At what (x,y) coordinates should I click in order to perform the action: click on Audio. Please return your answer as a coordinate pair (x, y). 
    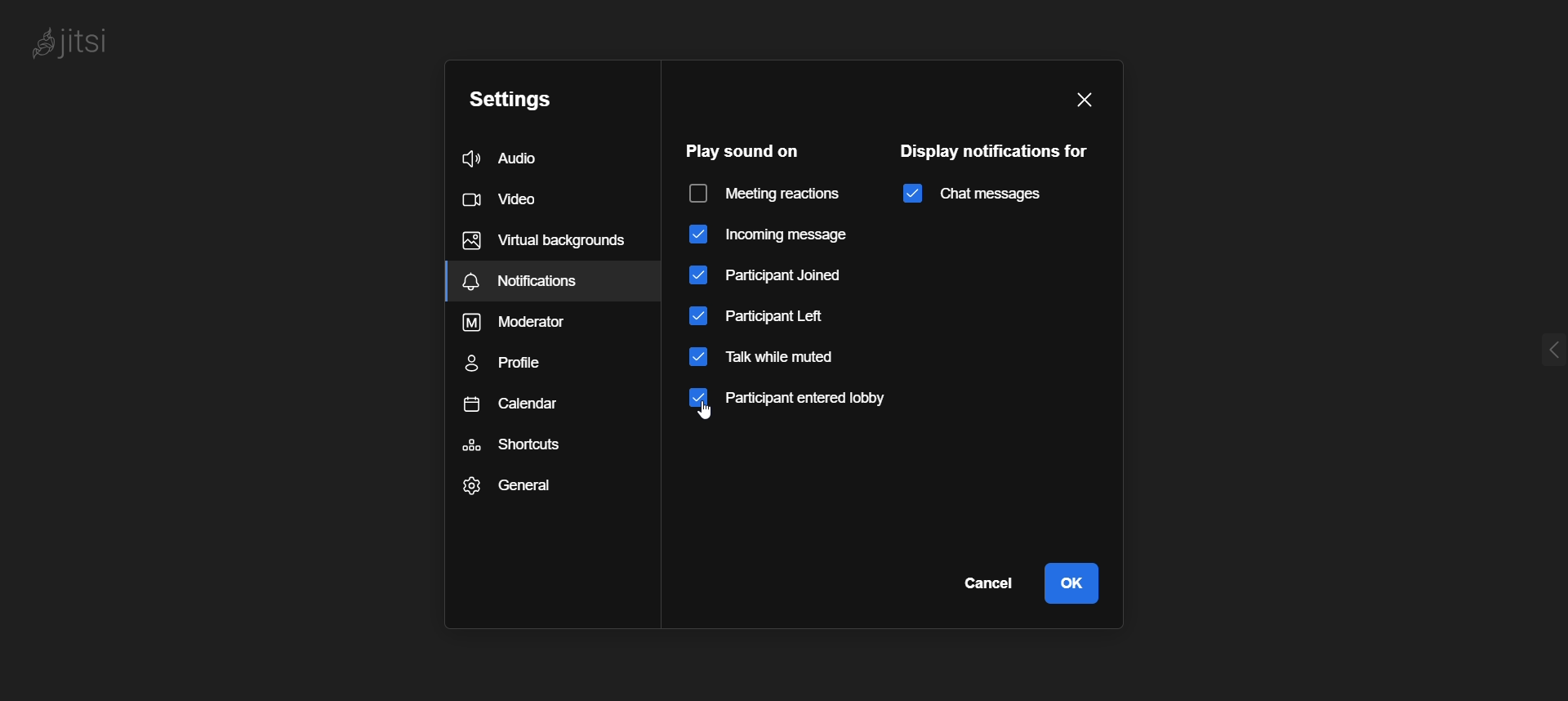
    Looking at the image, I should click on (537, 158).